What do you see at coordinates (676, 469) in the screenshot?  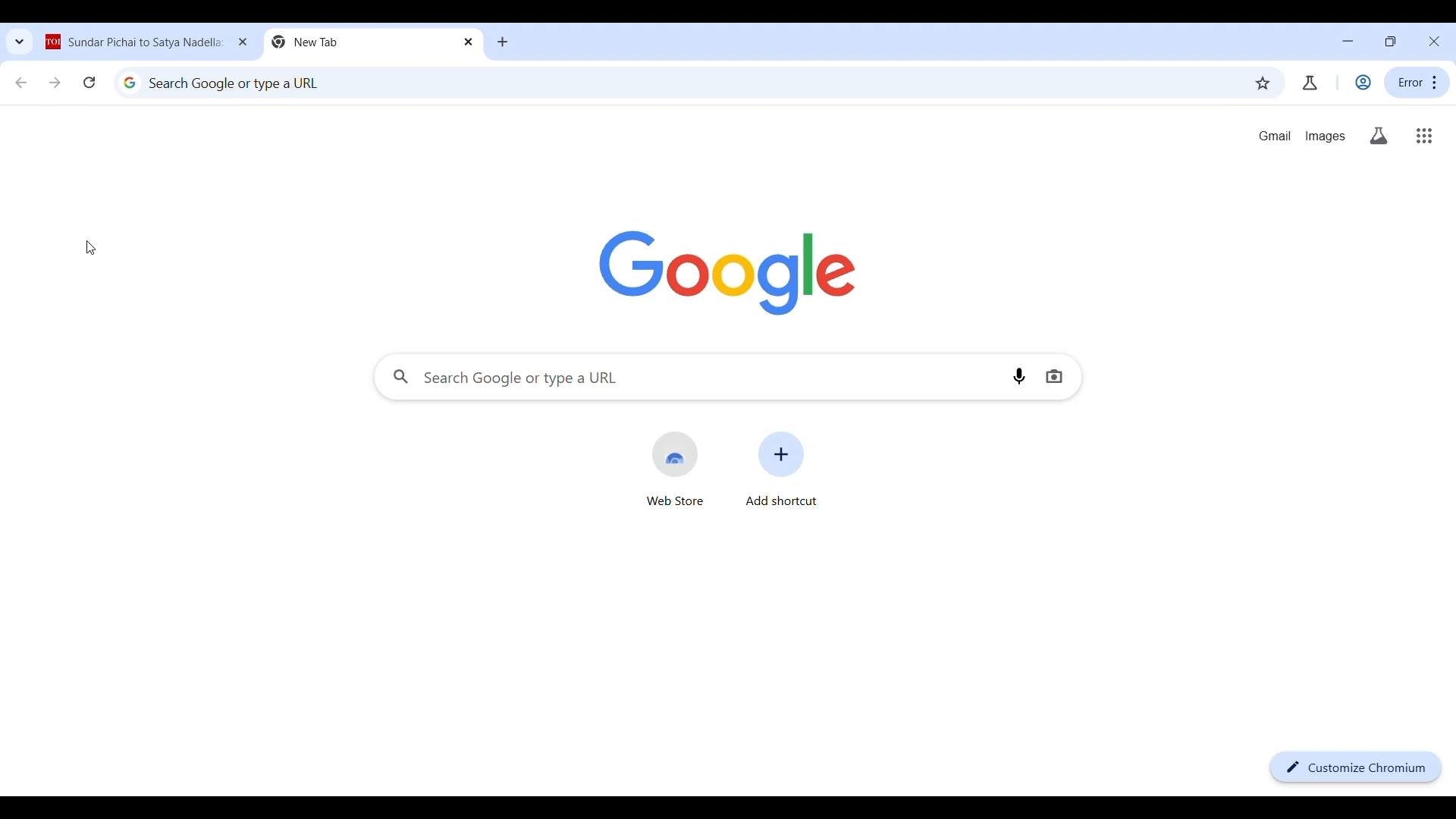 I see `Open Google webstore` at bounding box center [676, 469].